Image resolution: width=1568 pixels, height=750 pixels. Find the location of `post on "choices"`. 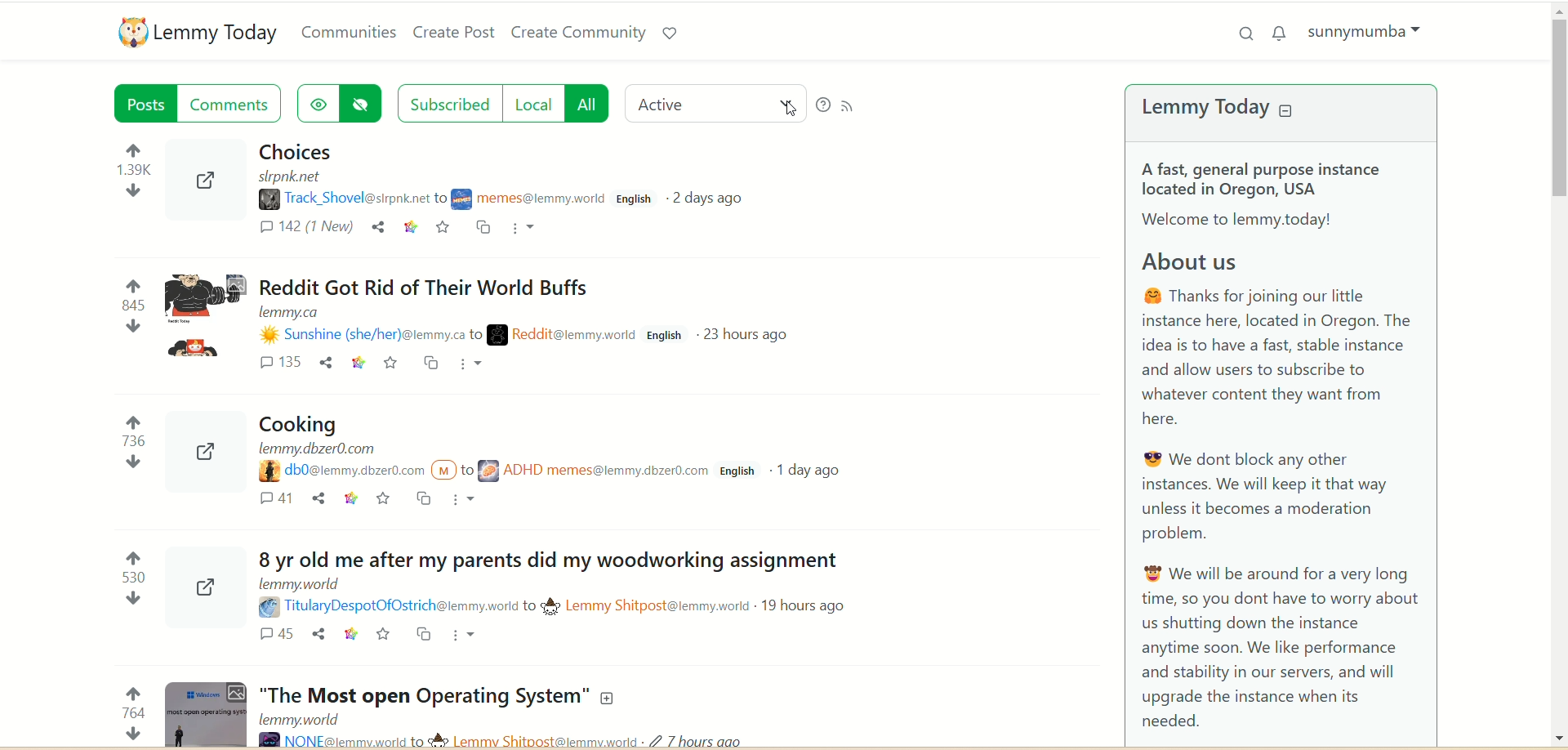

post on "choices" is located at coordinates (421, 174).